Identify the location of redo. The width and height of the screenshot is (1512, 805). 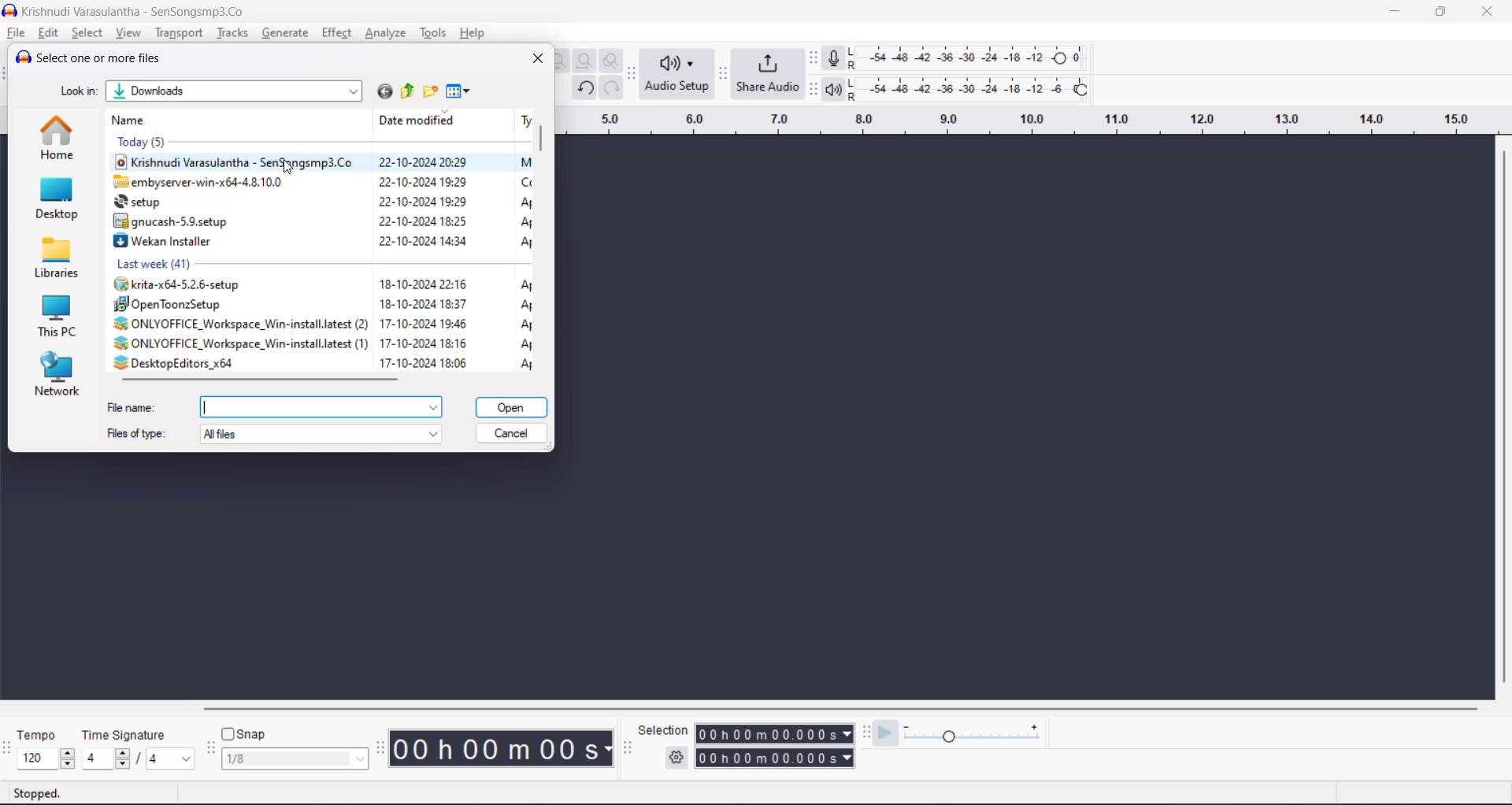
(611, 87).